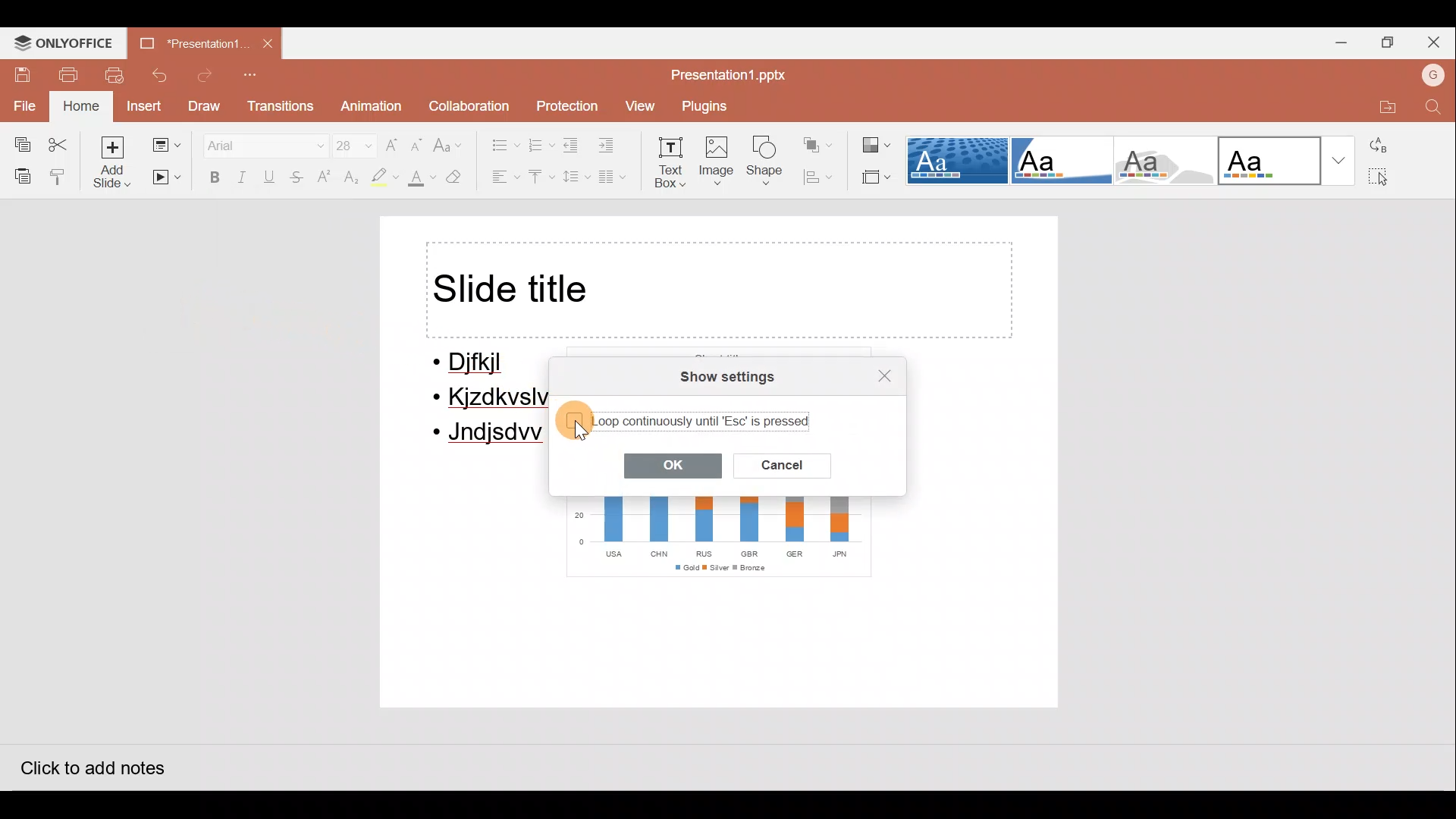  I want to click on Vertical align, so click(538, 178).